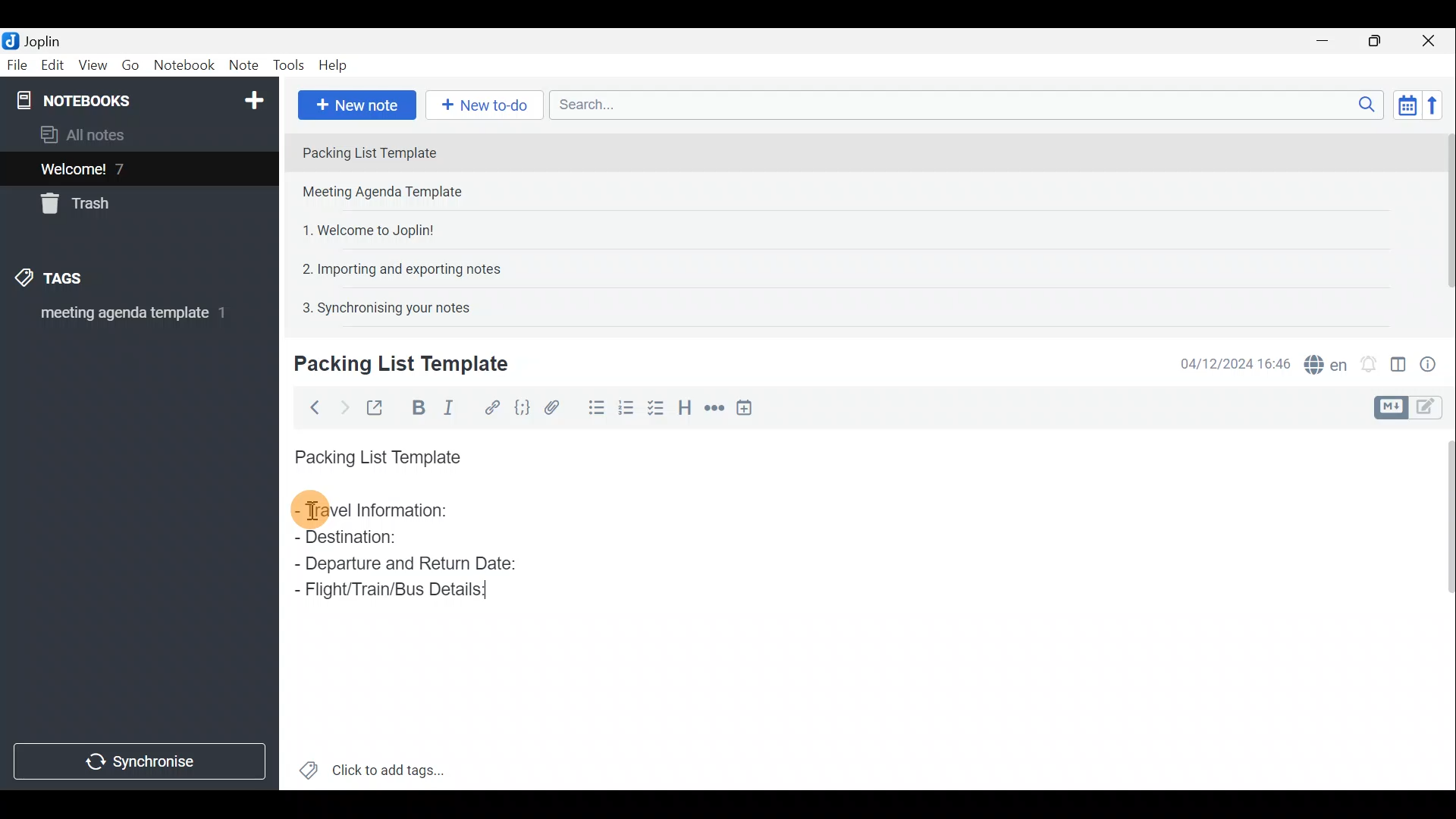 The image size is (1456, 819). I want to click on Joplin, so click(36, 40).